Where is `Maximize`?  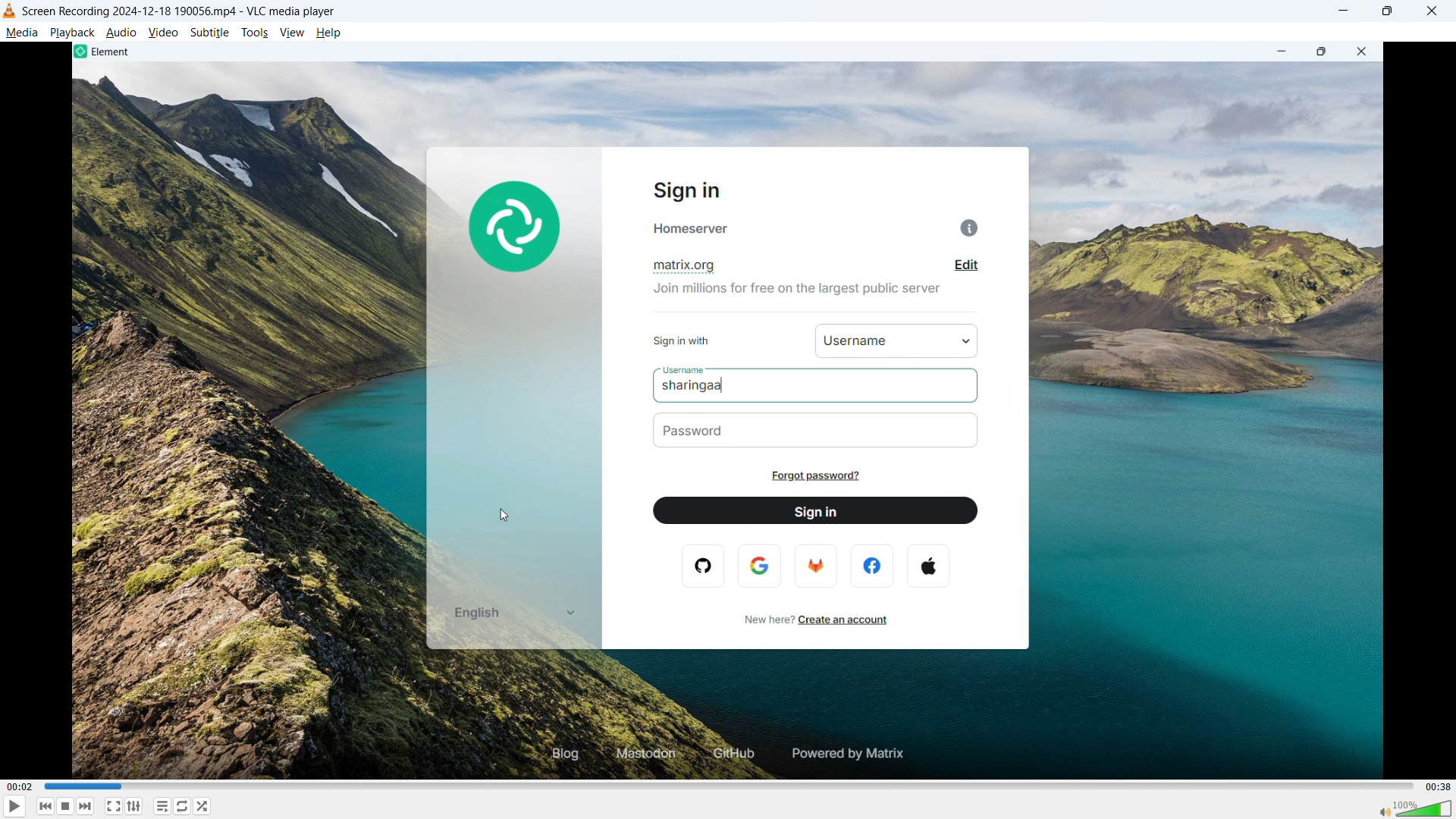 Maximize is located at coordinates (1322, 52).